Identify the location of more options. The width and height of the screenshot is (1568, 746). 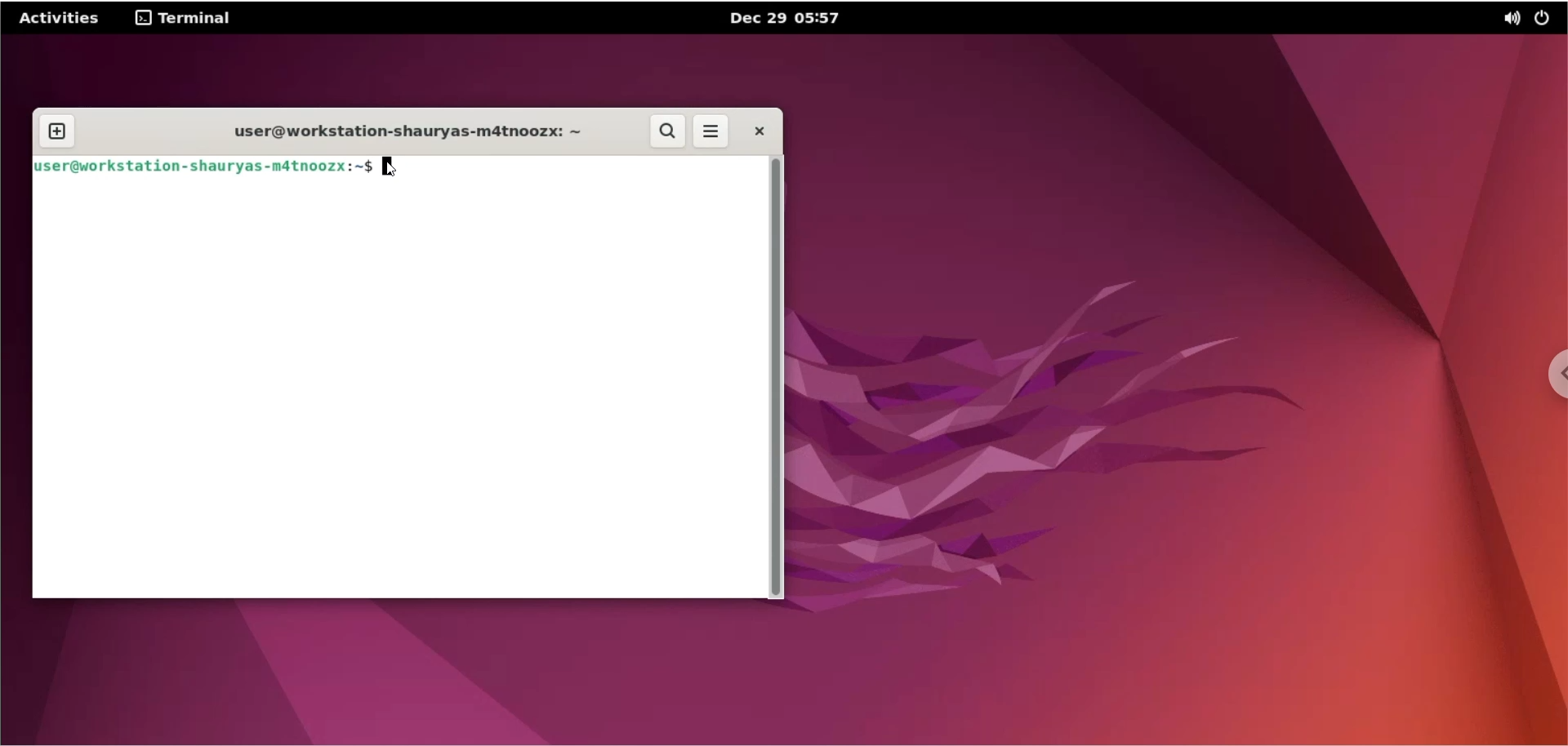
(712, 132).